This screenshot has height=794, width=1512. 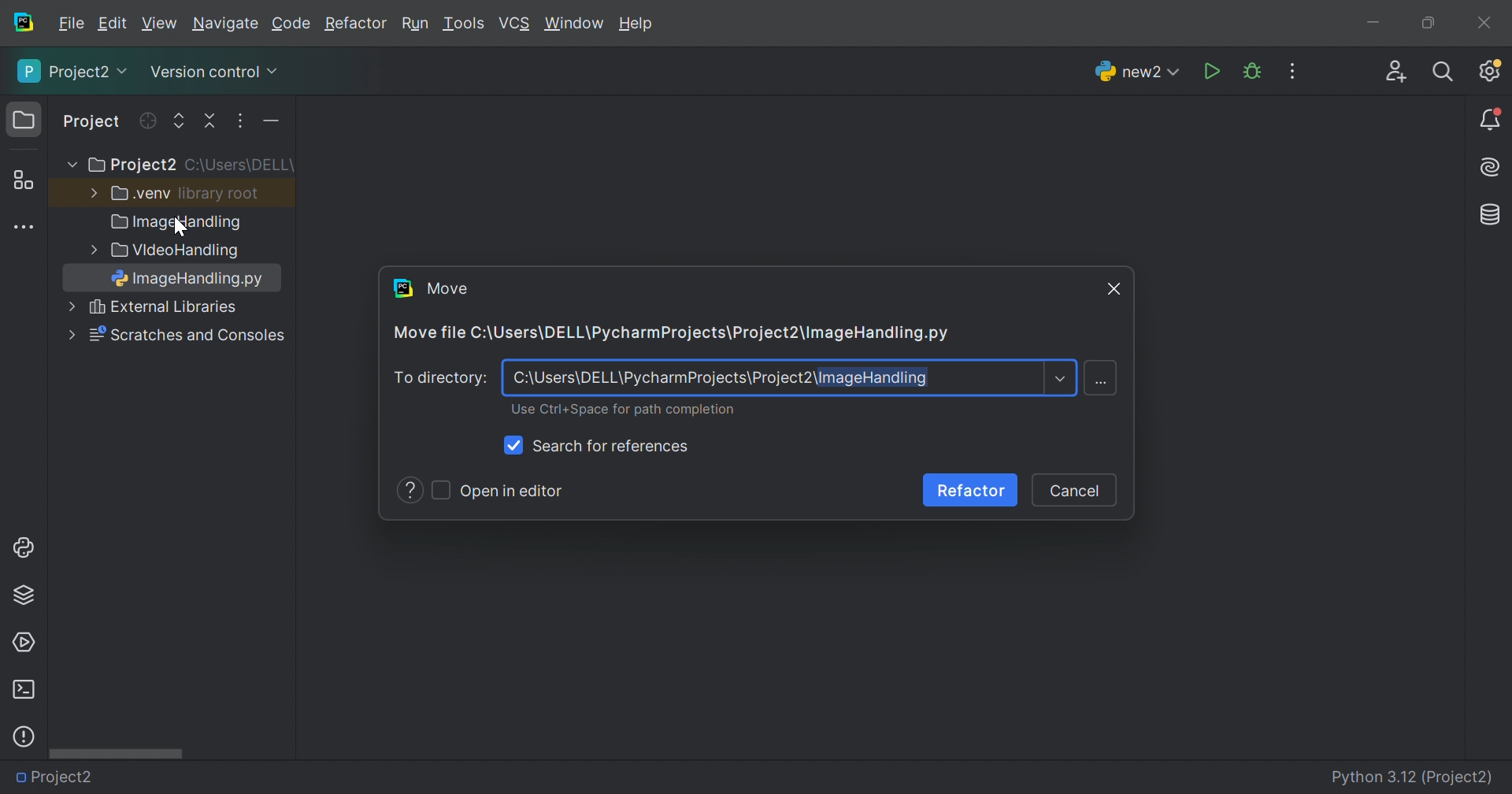 What do you see at coordinates (62, 777) in the screenshot?
I see `Project2` at bounding box center [62, 777].